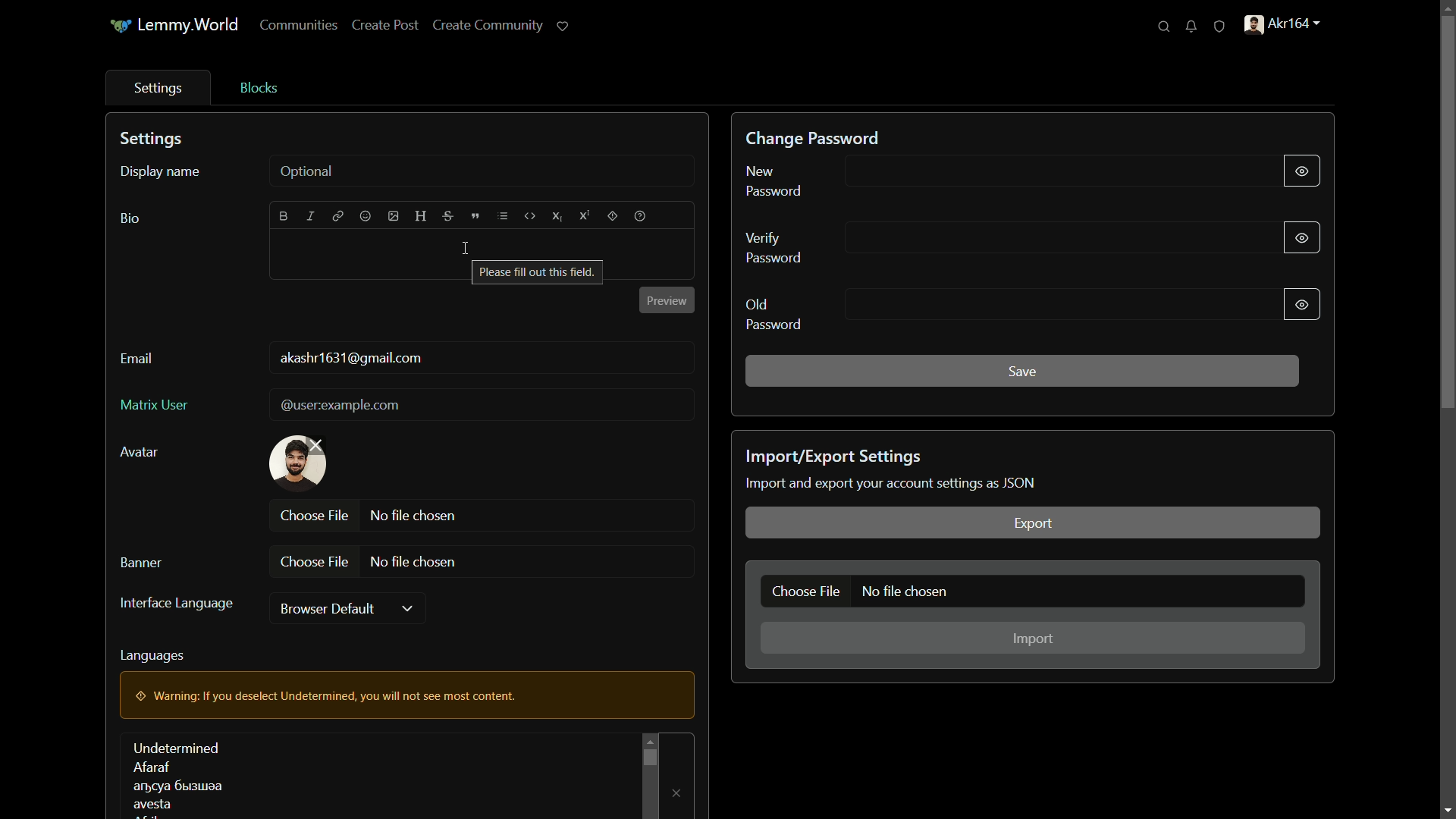  Describe the element at coordinates (190, 26) in the screenshot. I see `Lemmy.World` at that location.